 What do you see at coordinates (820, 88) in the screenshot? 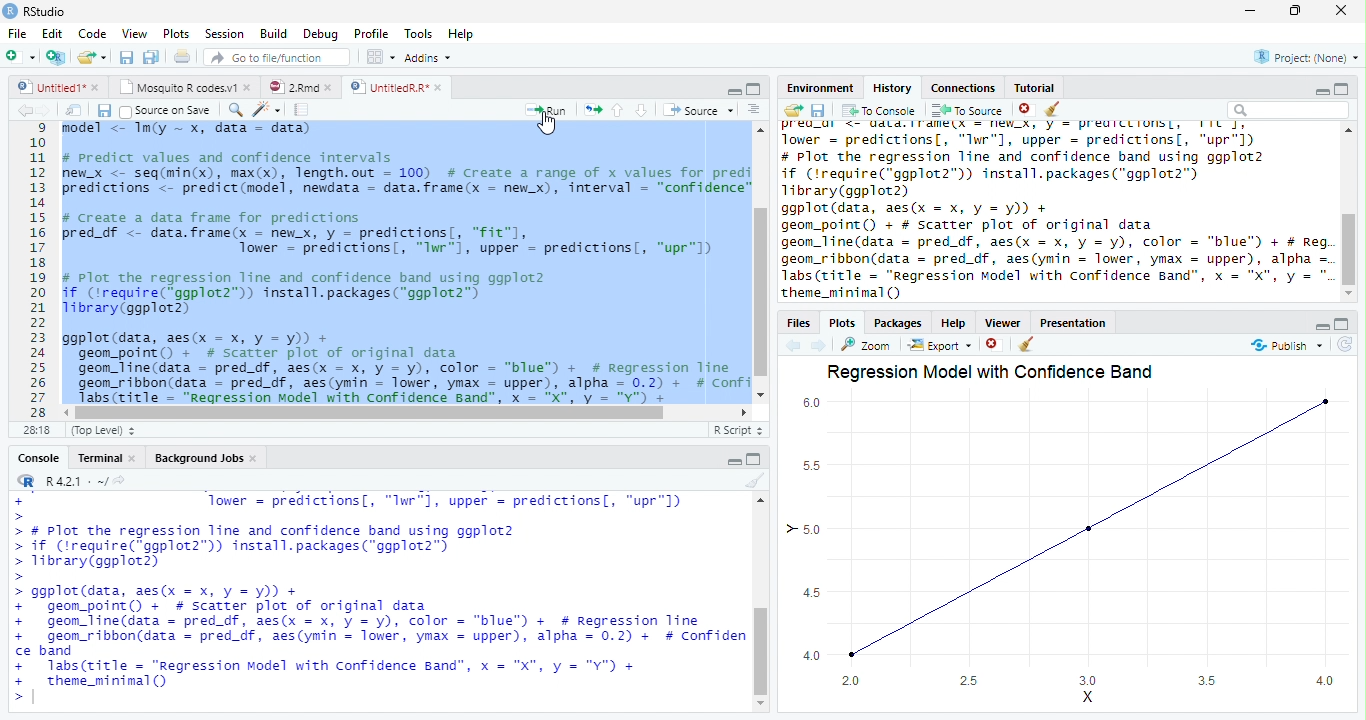
I see `Environment` at bounding box center [820, 88].